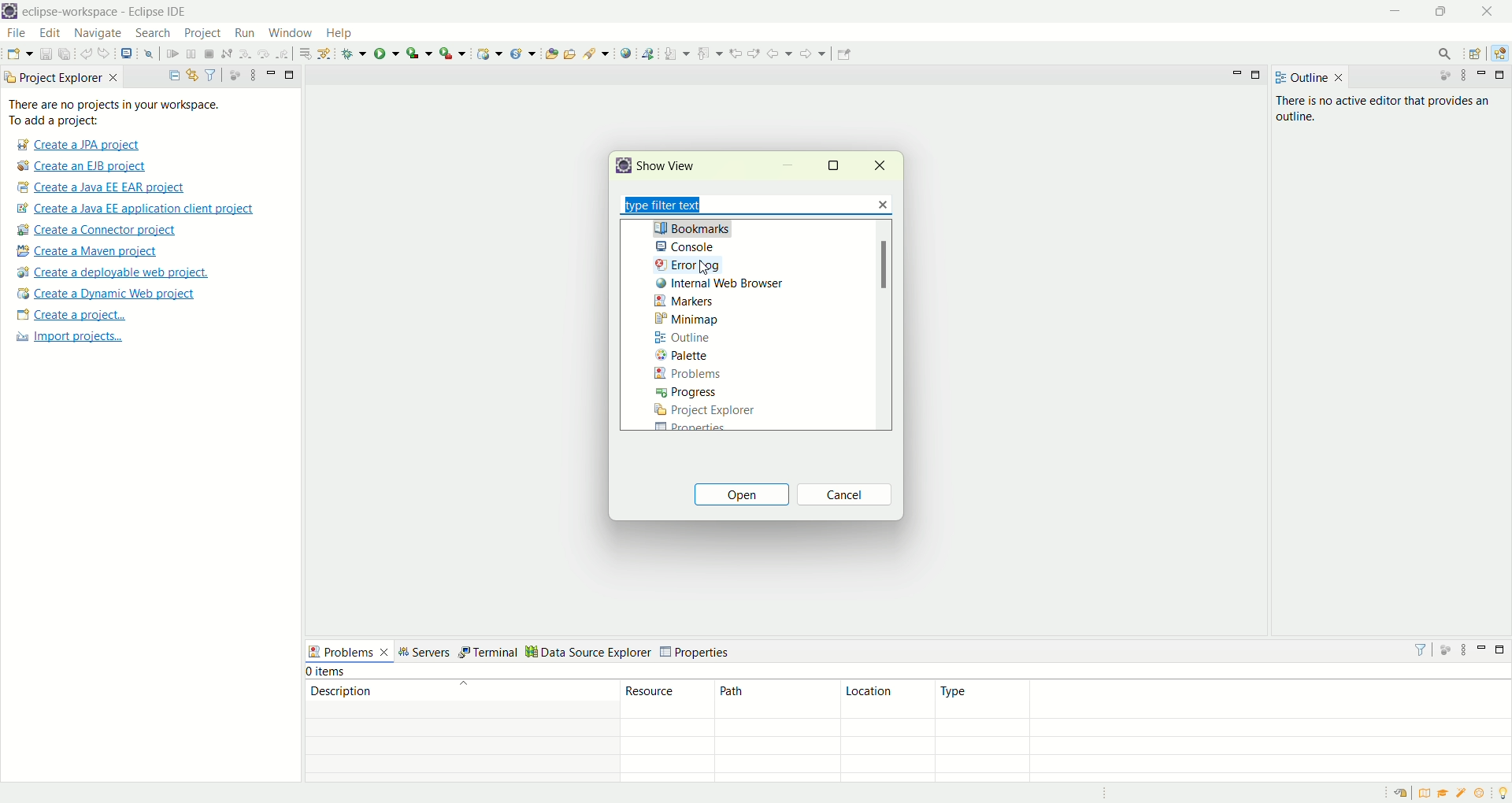 This screenshot has height=803, width=1512. What do you see at coordinates (14, 32) in the screenshot?
I see `file` at bounding box center [14, 32].